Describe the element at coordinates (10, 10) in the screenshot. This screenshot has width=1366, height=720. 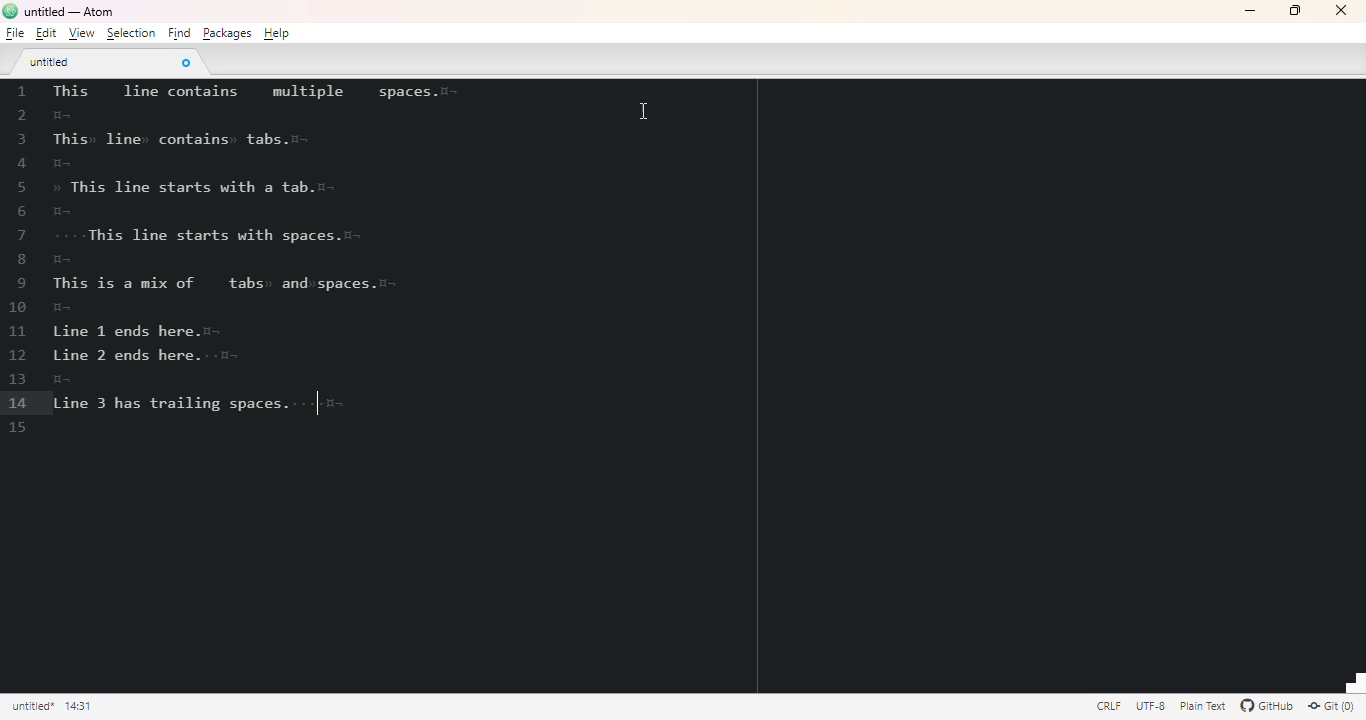
I see `logo` at that location.